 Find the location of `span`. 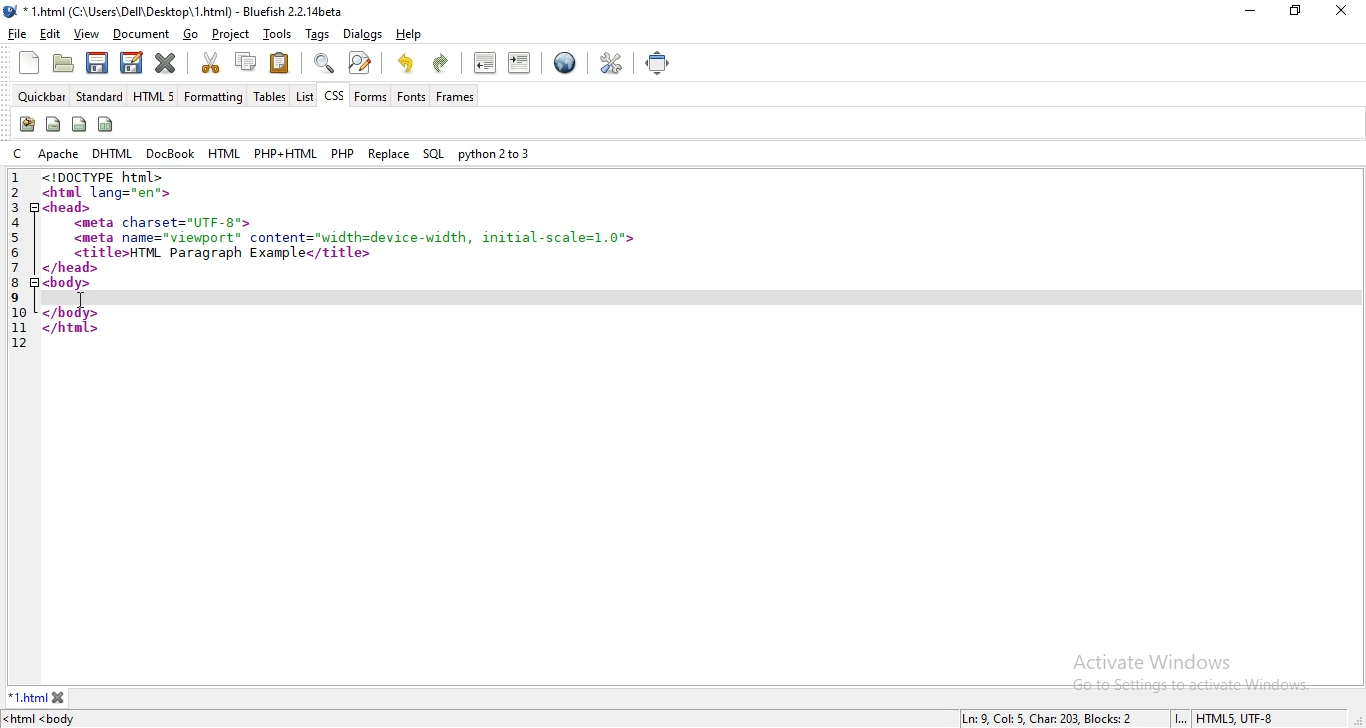

span is located at coordinates (54, 123).